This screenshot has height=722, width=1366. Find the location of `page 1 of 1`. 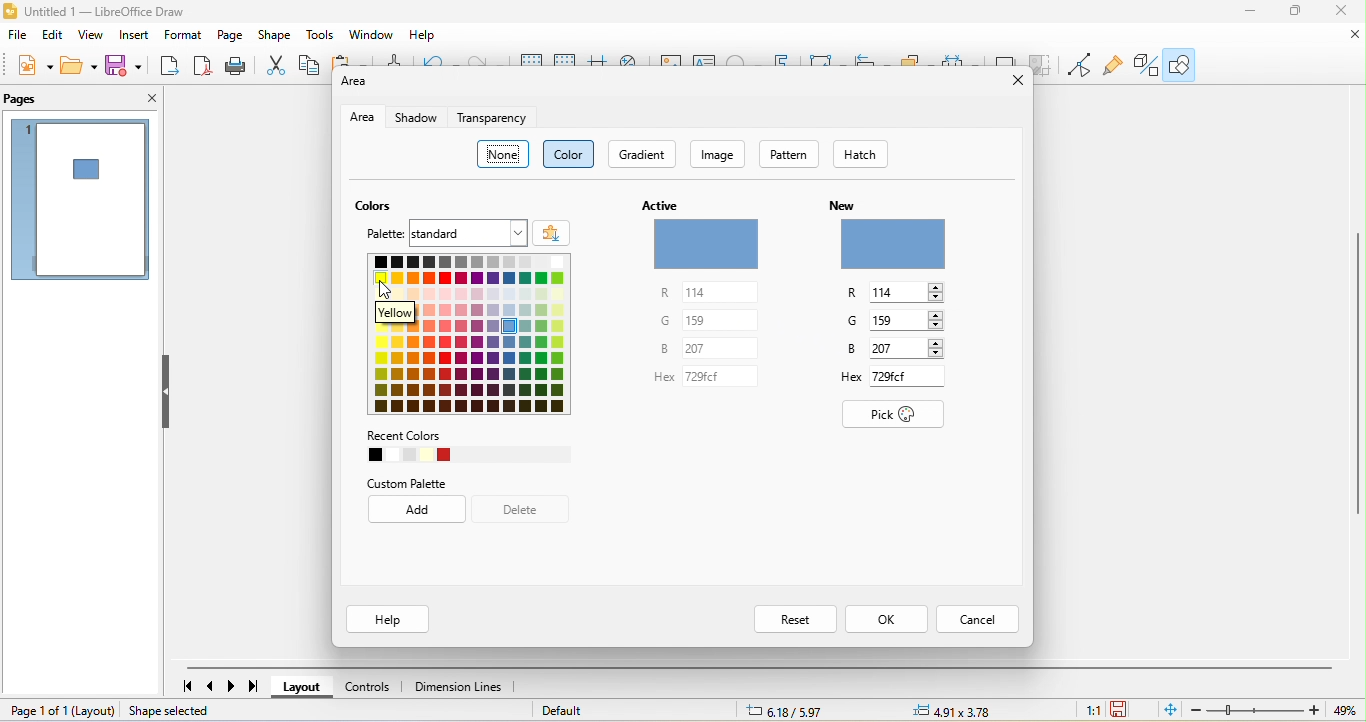

page 1 of 1 is located at coordinates (33, 712).